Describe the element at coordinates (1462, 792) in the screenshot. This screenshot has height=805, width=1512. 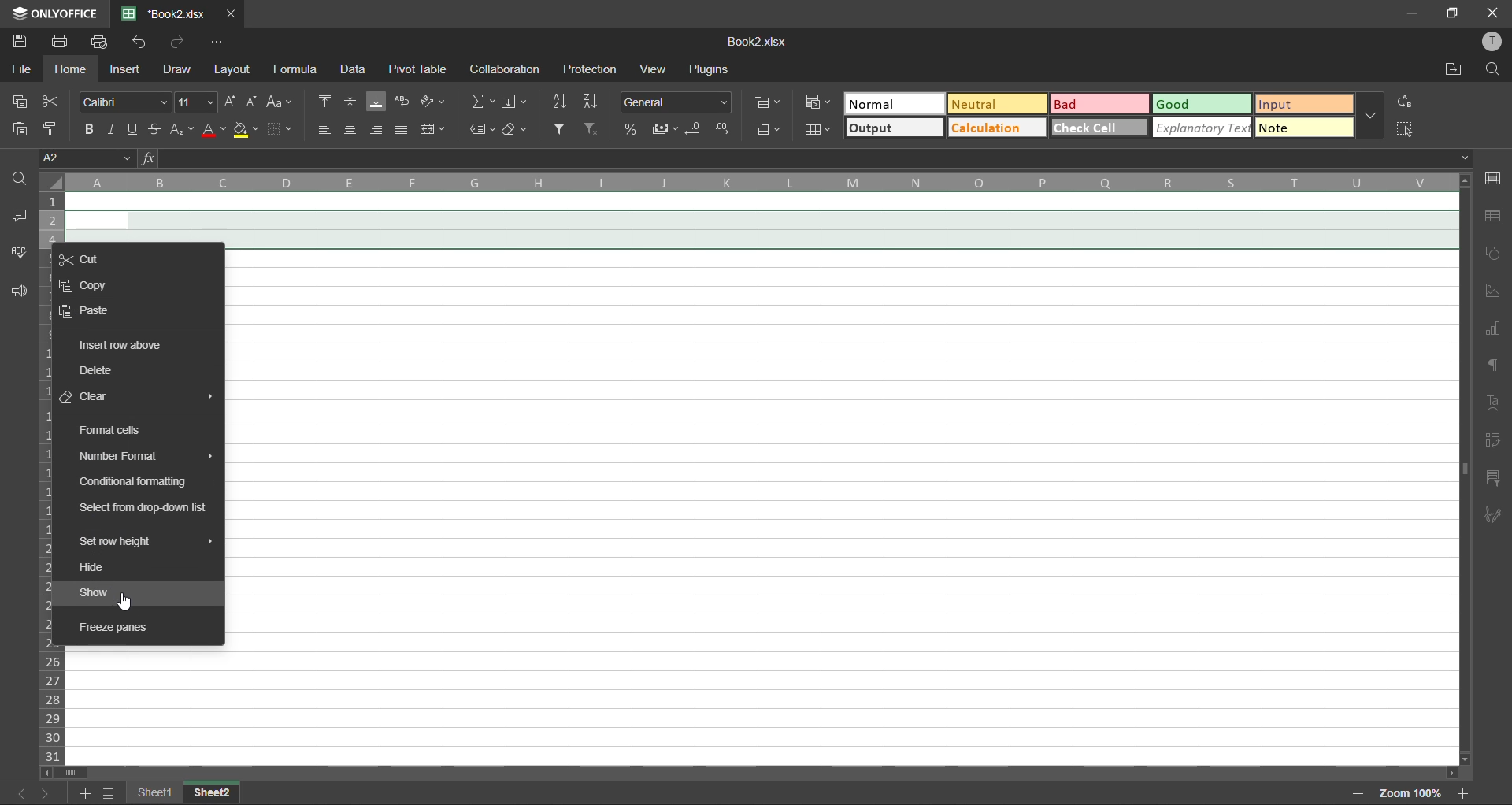
I see `zoom in` at that location.